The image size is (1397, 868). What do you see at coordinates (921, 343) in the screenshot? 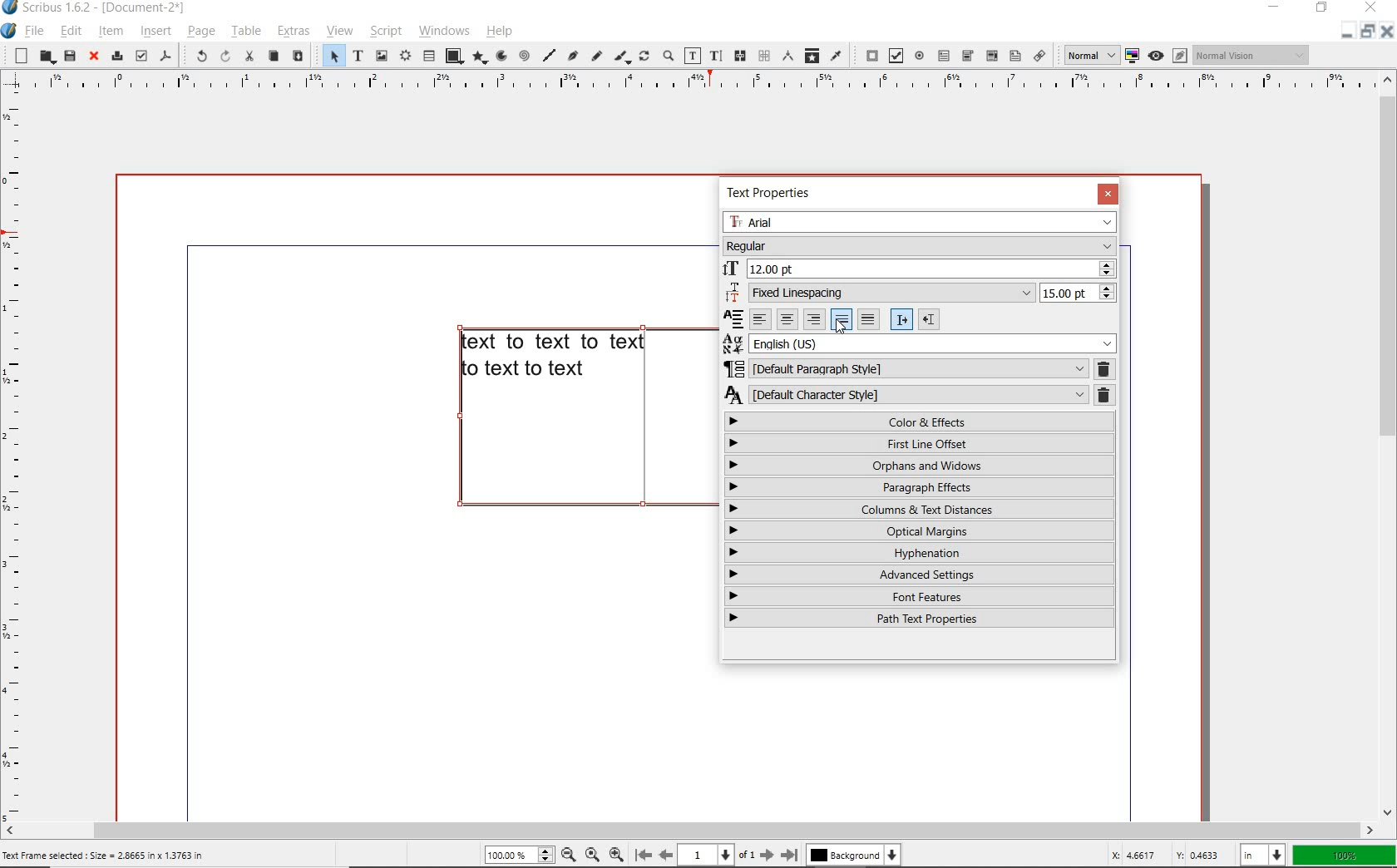
I see `TEXT LANGUAGE` at bounding box center [921, 343].